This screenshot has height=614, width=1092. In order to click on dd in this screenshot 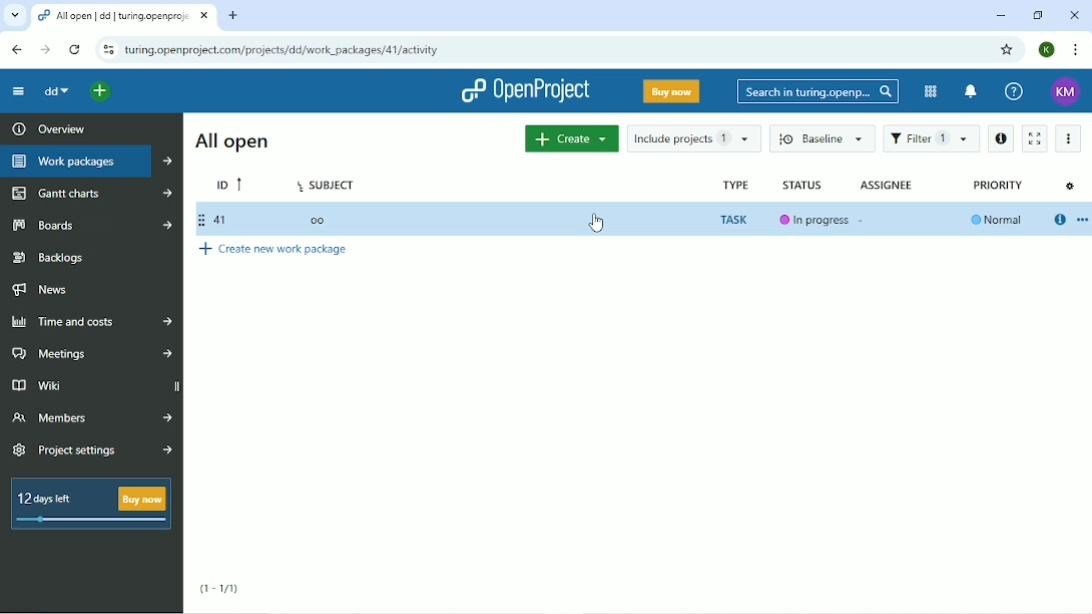, I will do `click(57, 93)`.